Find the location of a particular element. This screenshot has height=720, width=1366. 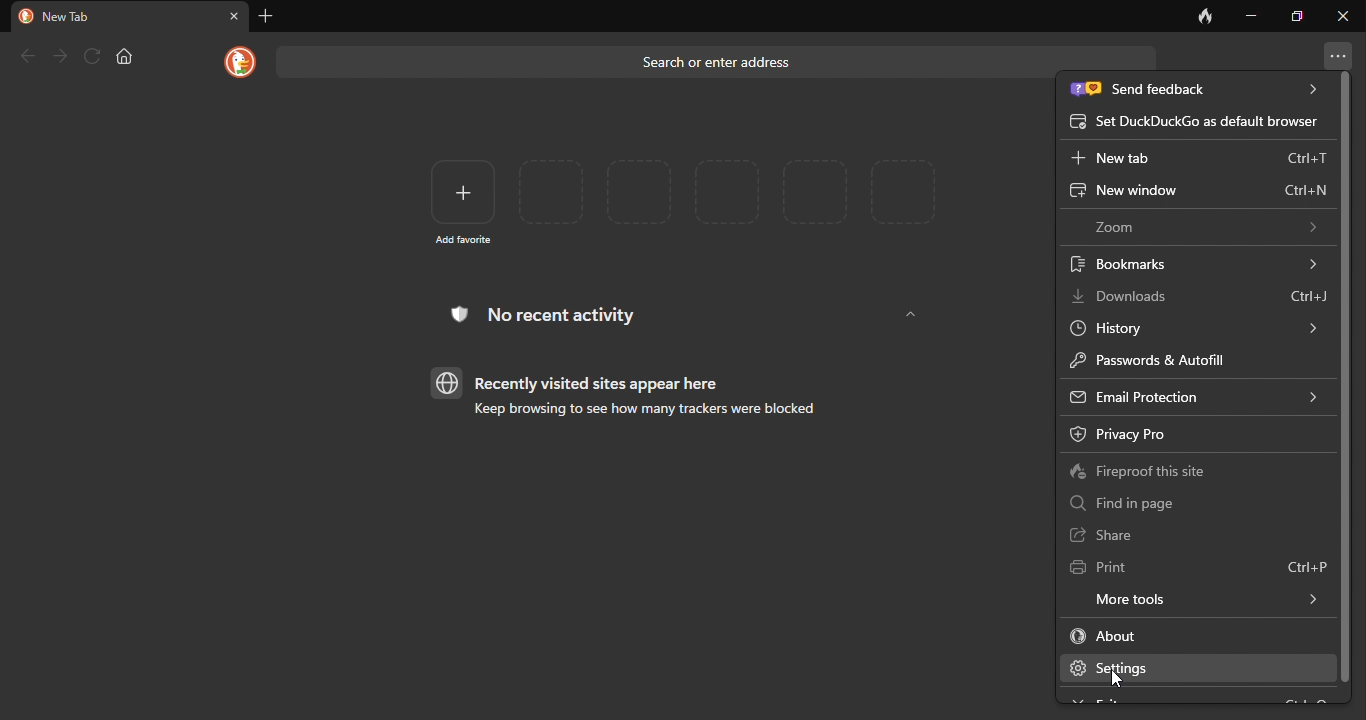

about is located at coordinates (1139, 635).